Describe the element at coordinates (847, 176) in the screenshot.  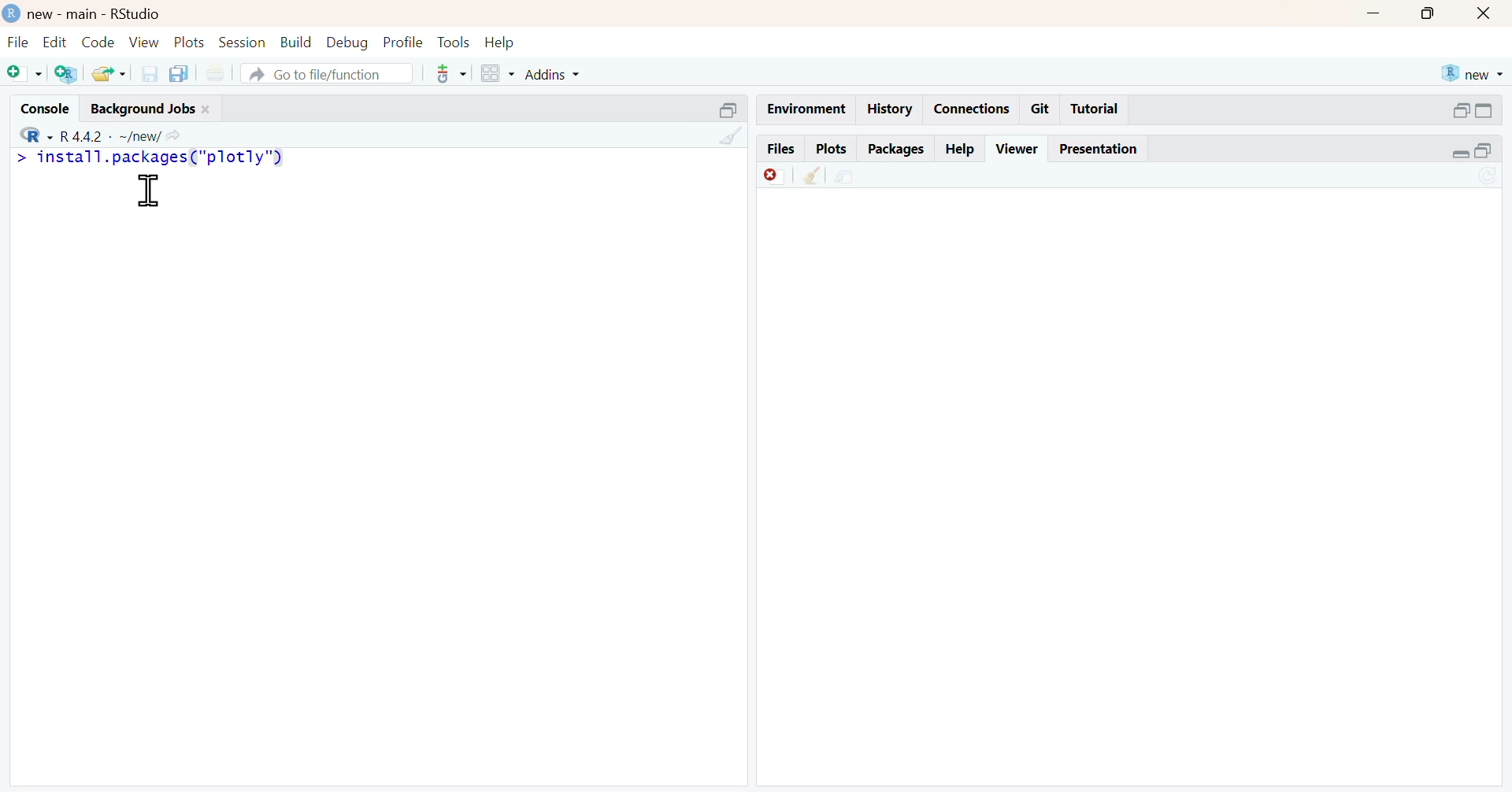
I see `show in new window` at that location.